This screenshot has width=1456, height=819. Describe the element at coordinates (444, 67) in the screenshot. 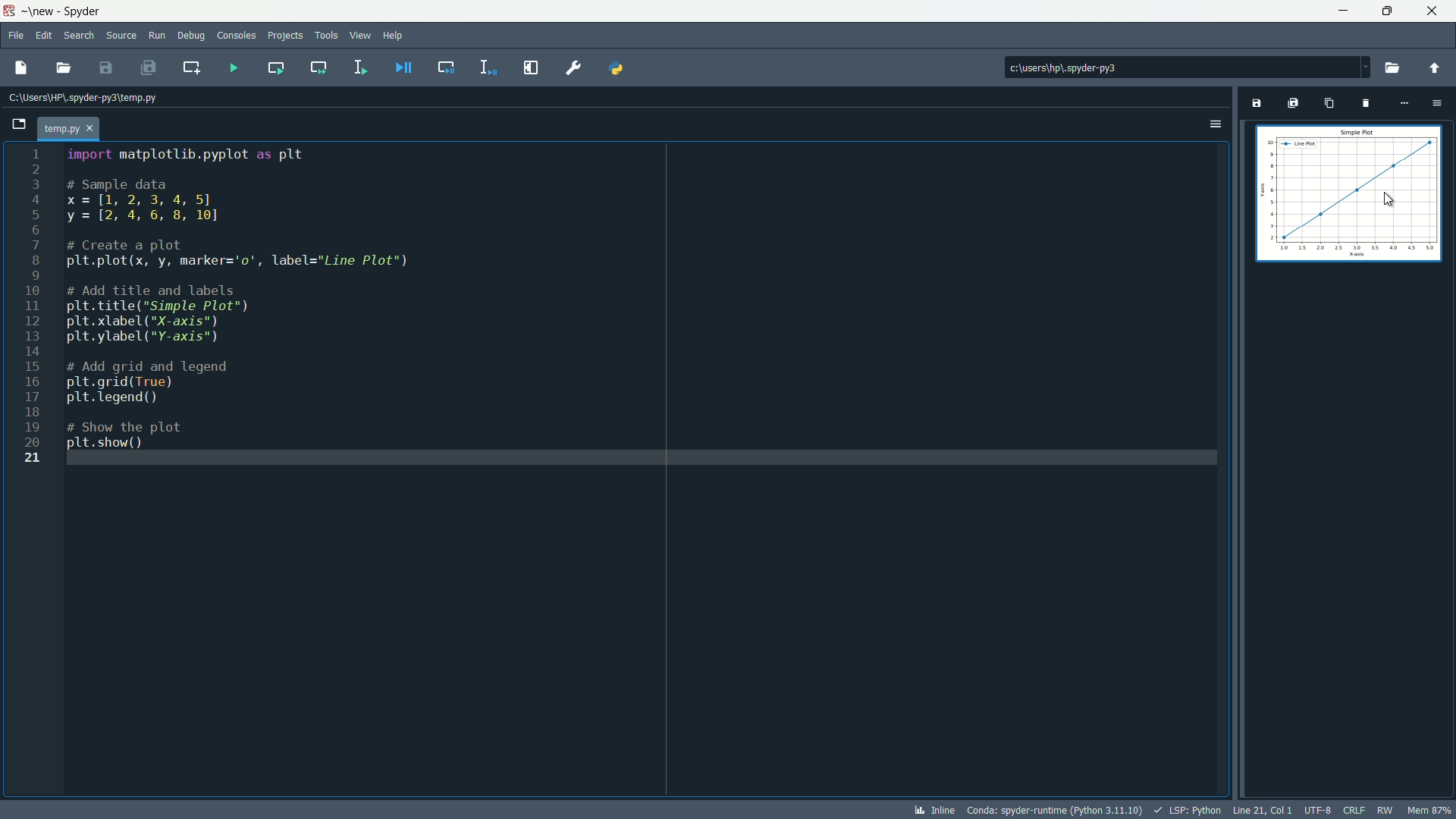

I see `debug cell` at that location.